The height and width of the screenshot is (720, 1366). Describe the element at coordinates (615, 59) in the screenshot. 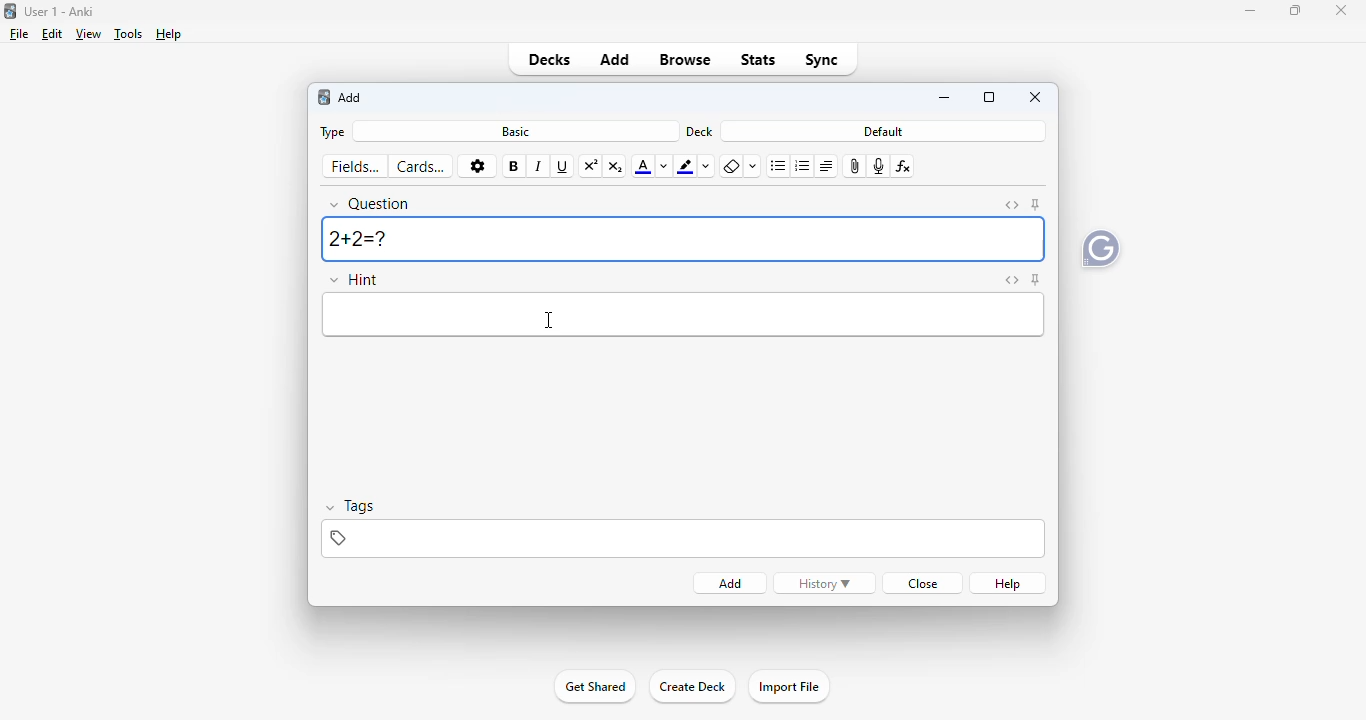

I see `add` at that location.